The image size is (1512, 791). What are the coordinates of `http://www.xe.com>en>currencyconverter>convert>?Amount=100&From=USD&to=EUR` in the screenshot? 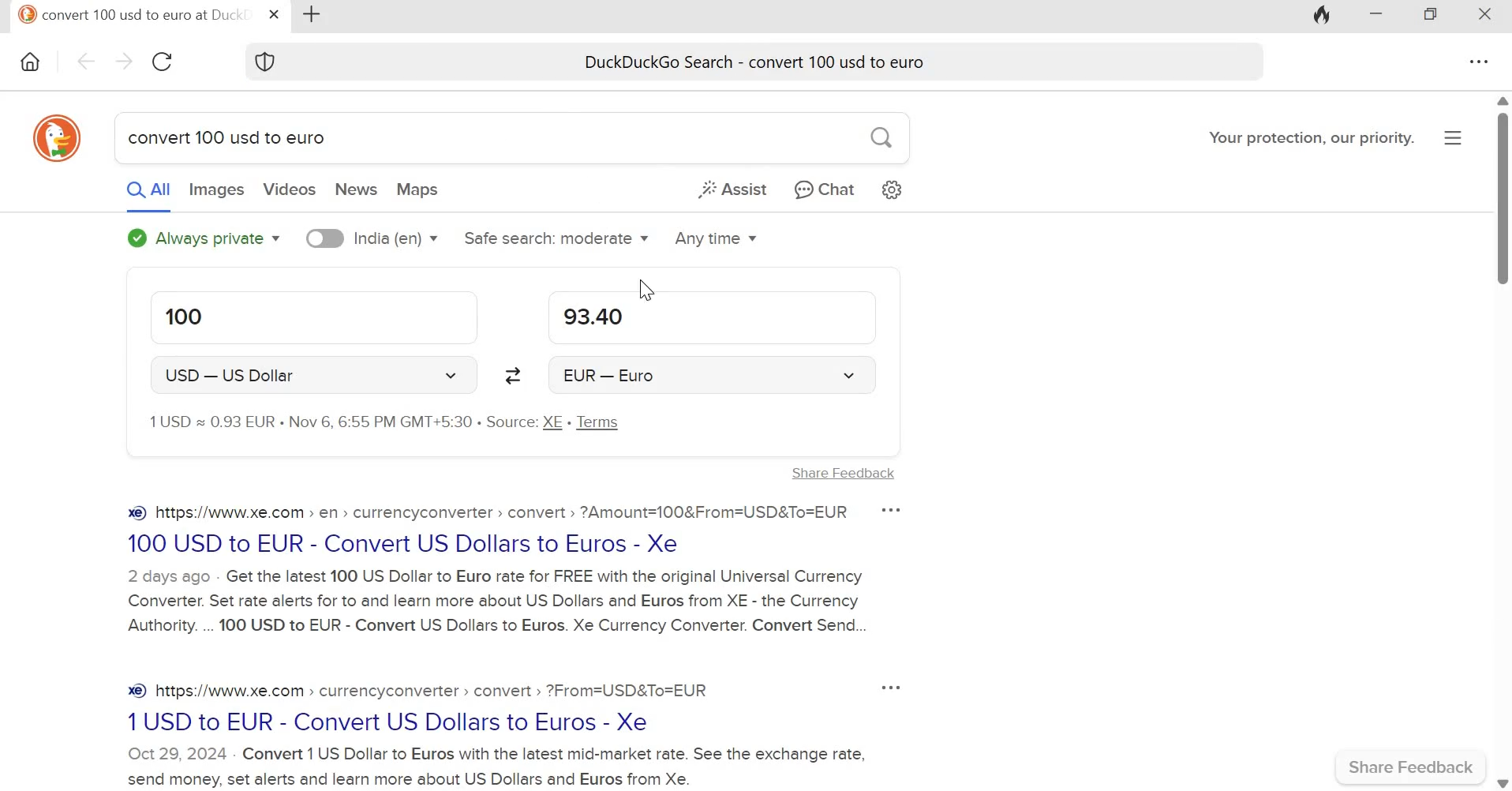 It's located at (481, 514).